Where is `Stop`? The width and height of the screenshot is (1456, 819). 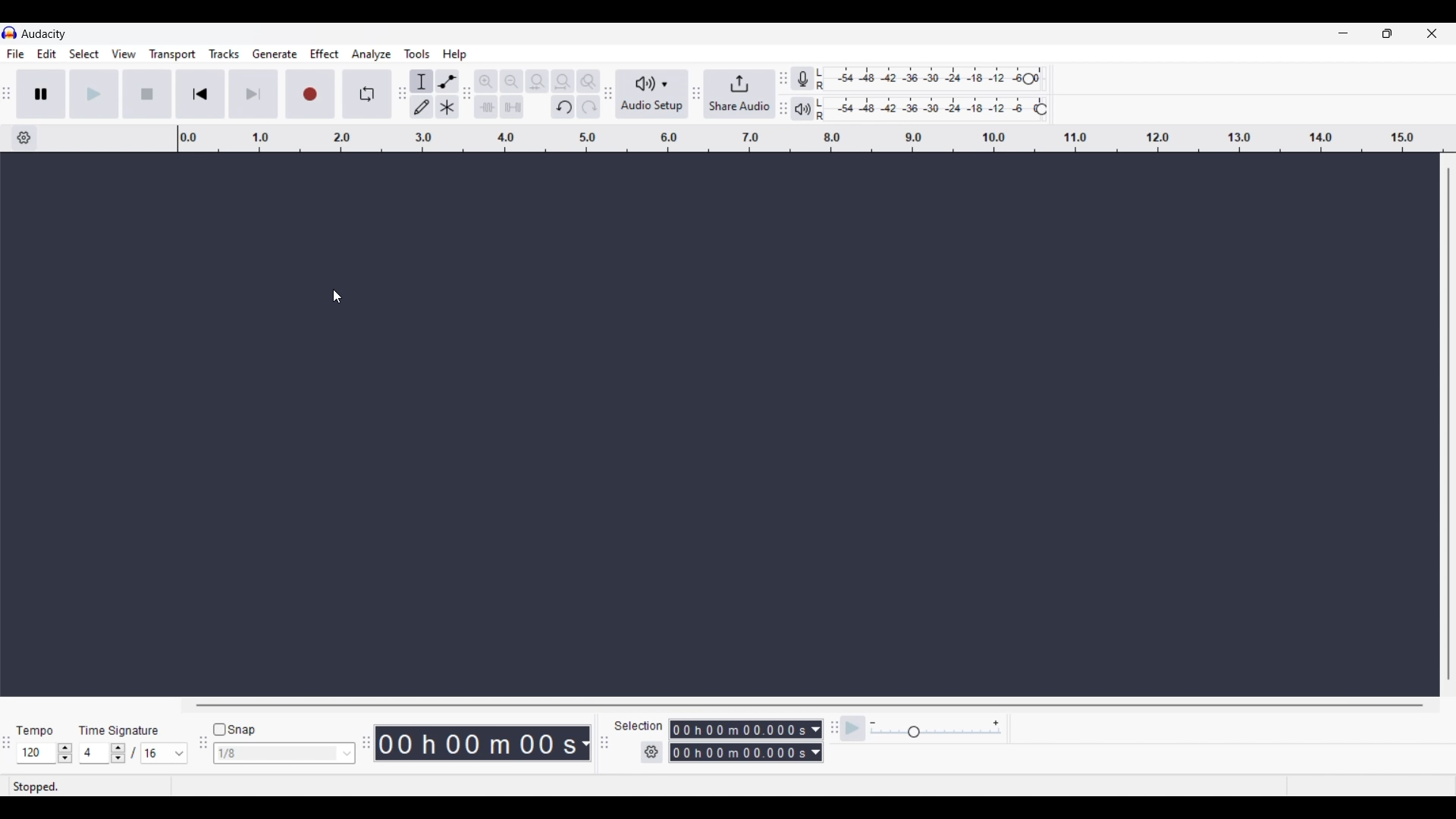
Stop is located at coordinates (148, 94).